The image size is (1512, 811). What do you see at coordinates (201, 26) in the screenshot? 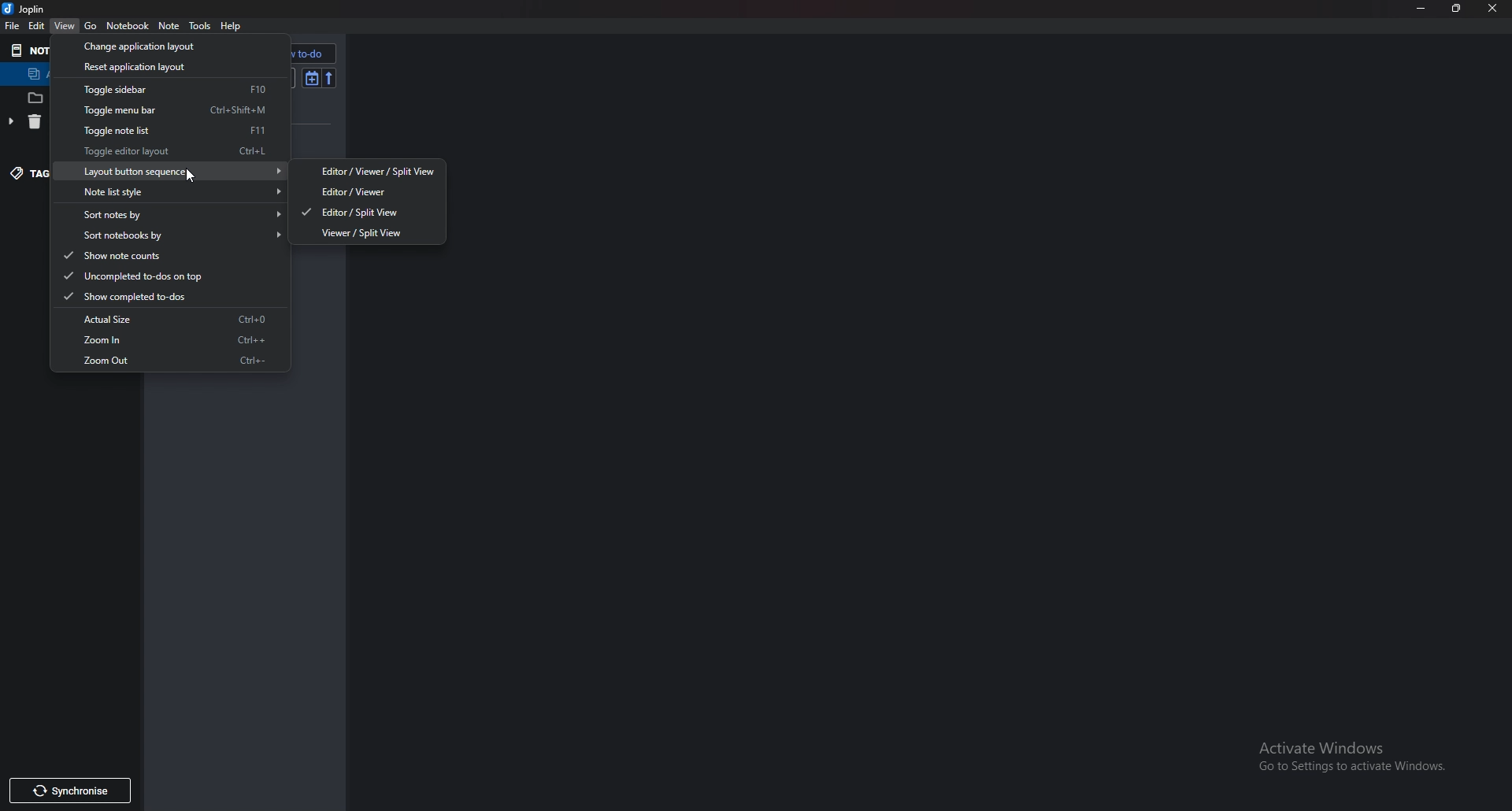
I see `Tools` at bounding box center [201, 26].